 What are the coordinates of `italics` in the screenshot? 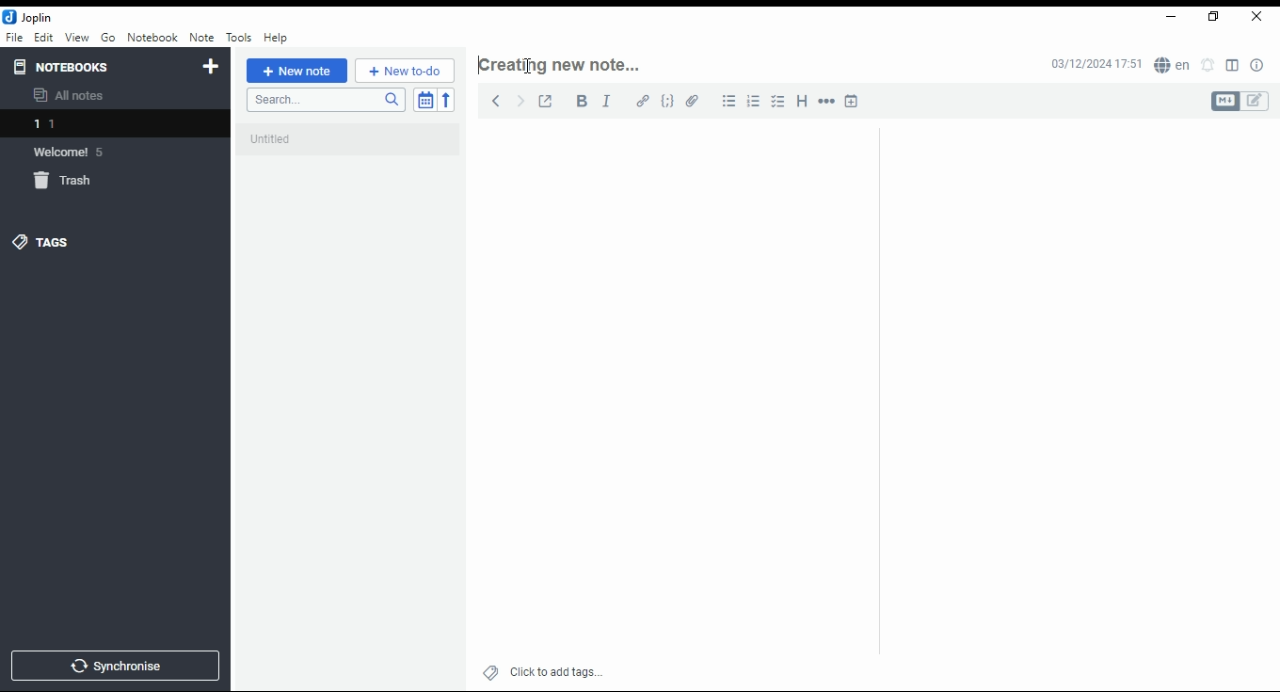 It's located at (607, 100).